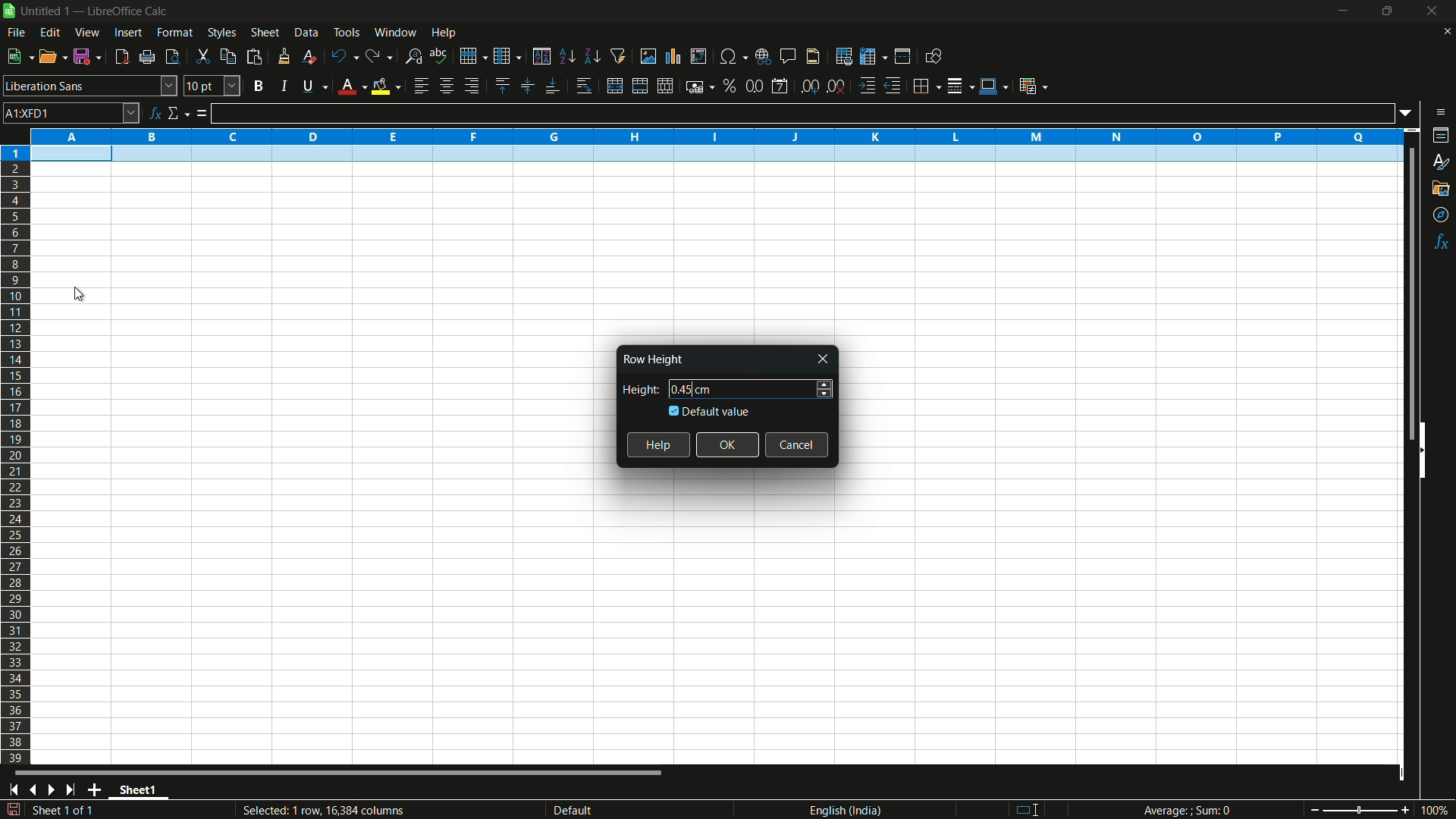 This screenshot has width=1456, height=819. Describe the element at coordinates (553, 87) in the screenshot. I see `align bottom` at that location.